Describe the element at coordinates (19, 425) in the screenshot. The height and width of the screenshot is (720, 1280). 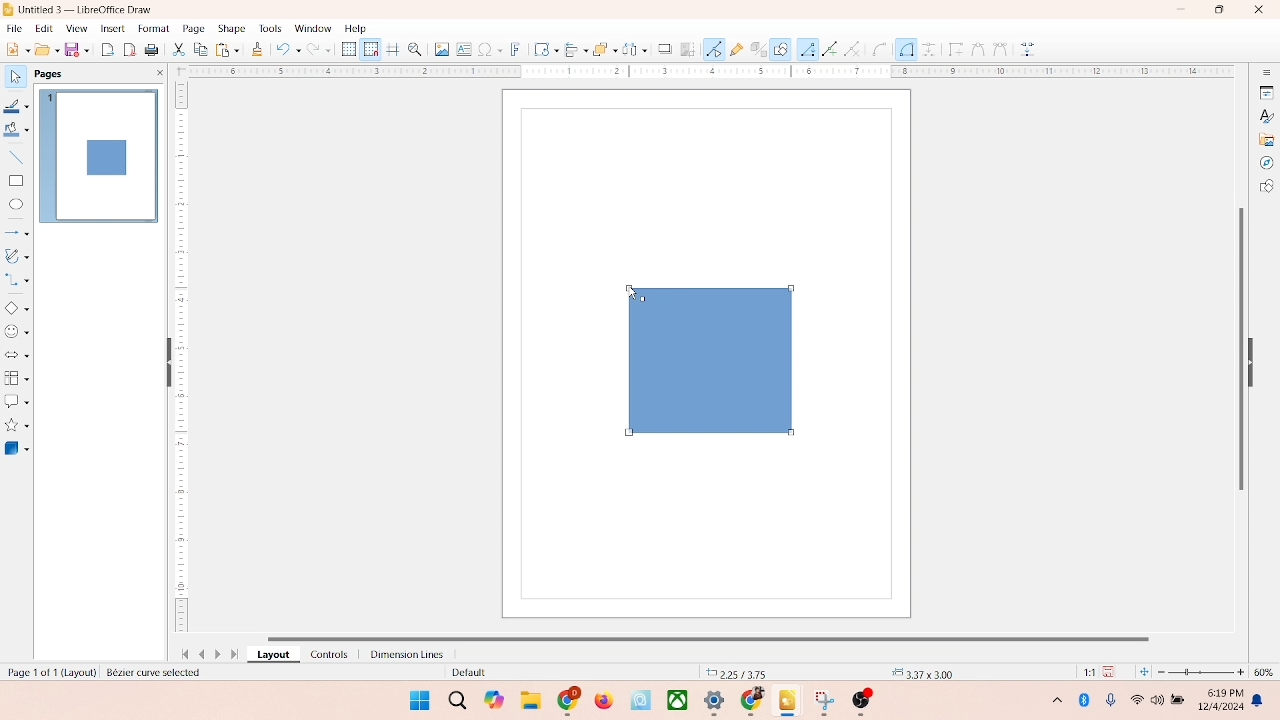
I see `star and banners` at that location.